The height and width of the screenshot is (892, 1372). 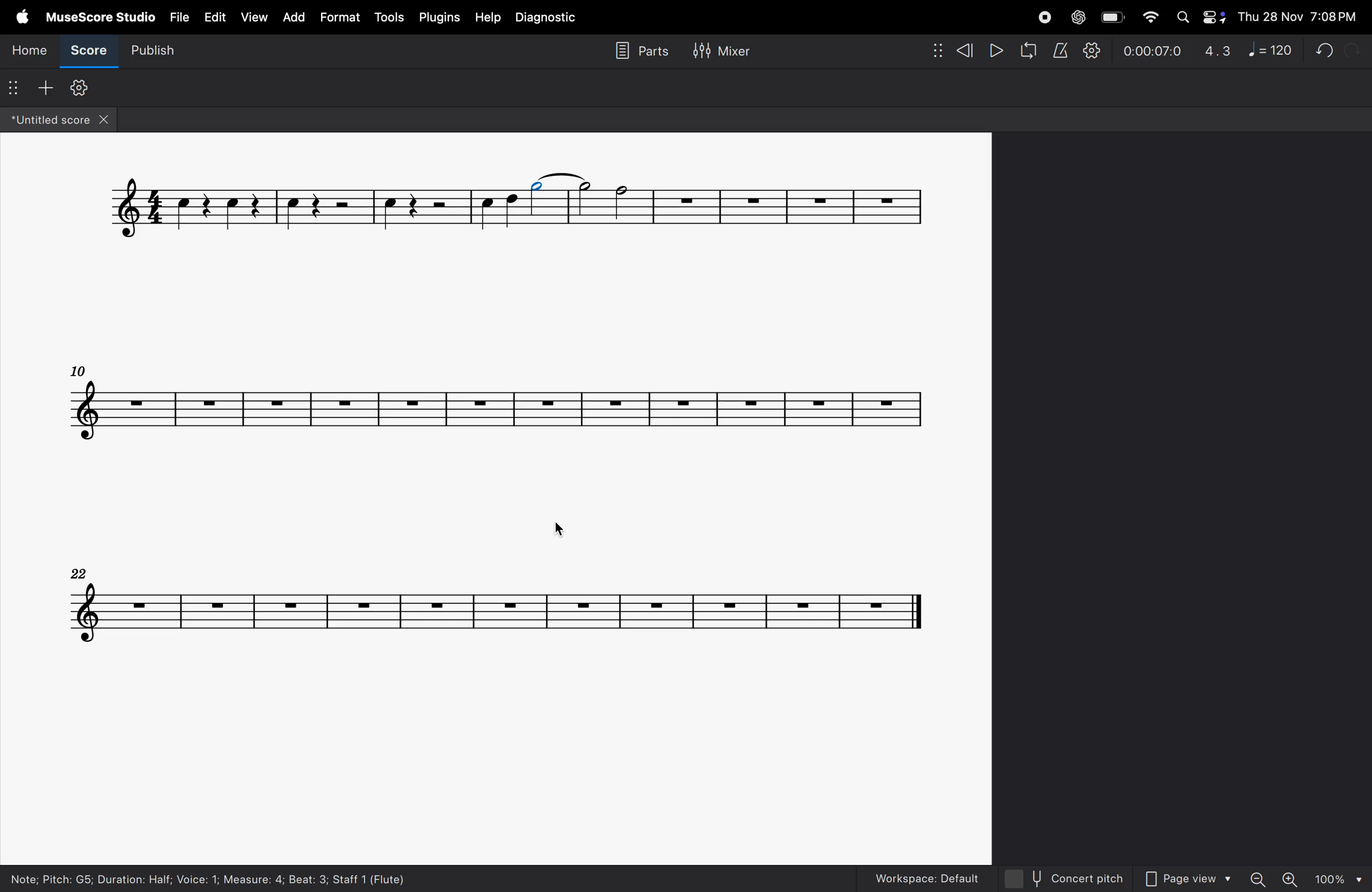 I want to click on cursor, so click(x=560, y=528).